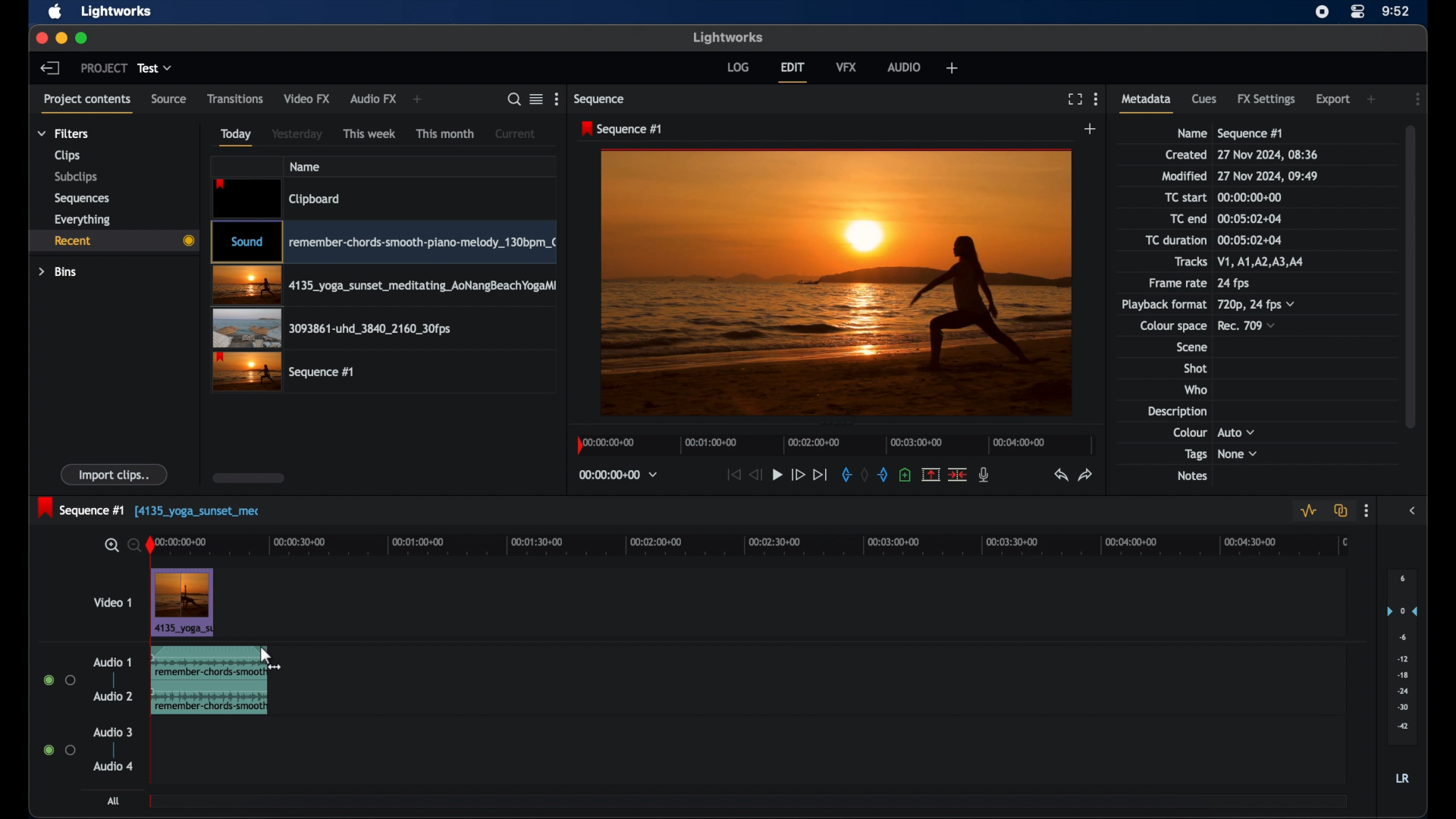  I want to click on filters dropdown, so click(63, 133).